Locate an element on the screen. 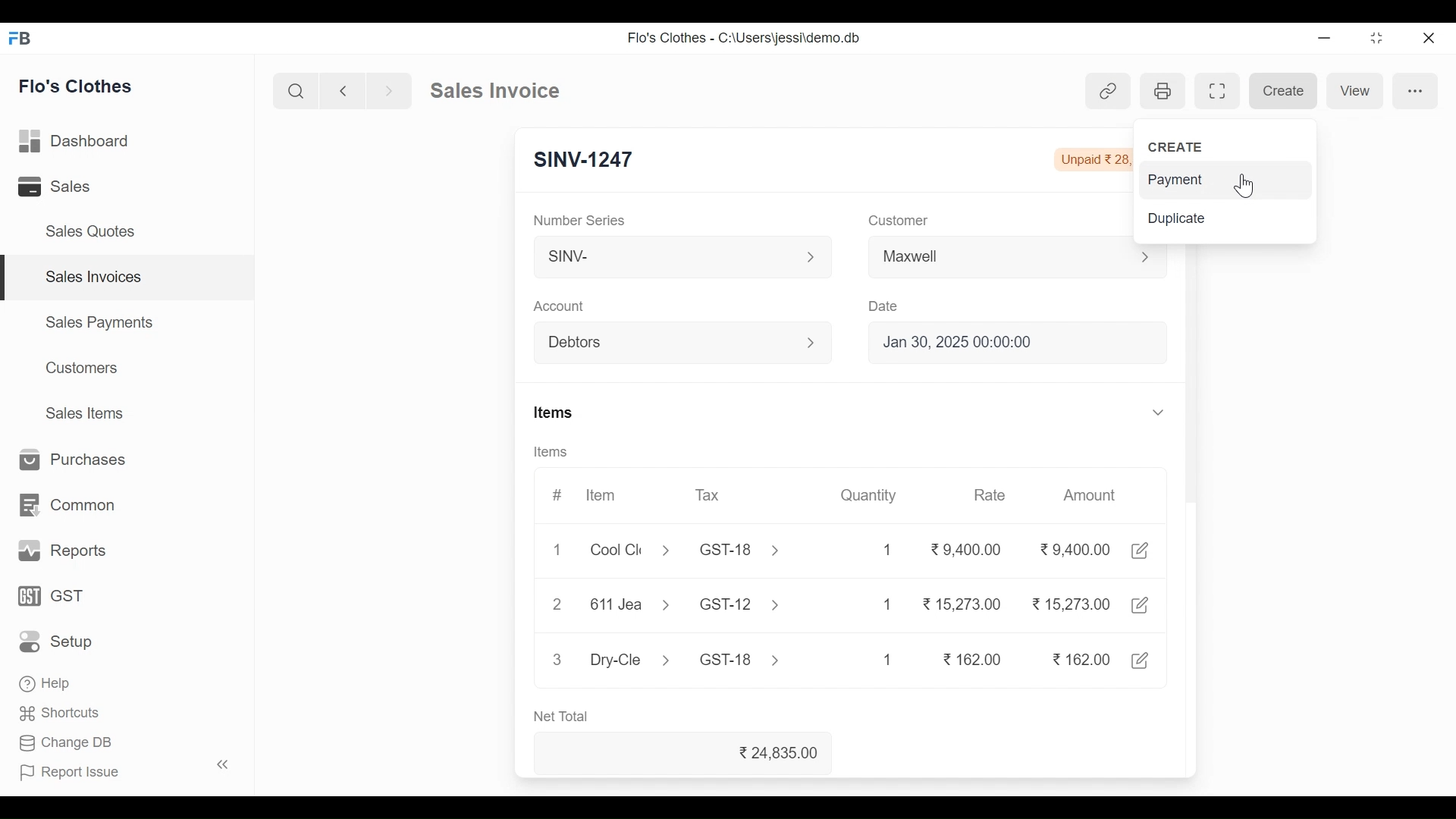  Quantity is located at coordinates (875, 495).